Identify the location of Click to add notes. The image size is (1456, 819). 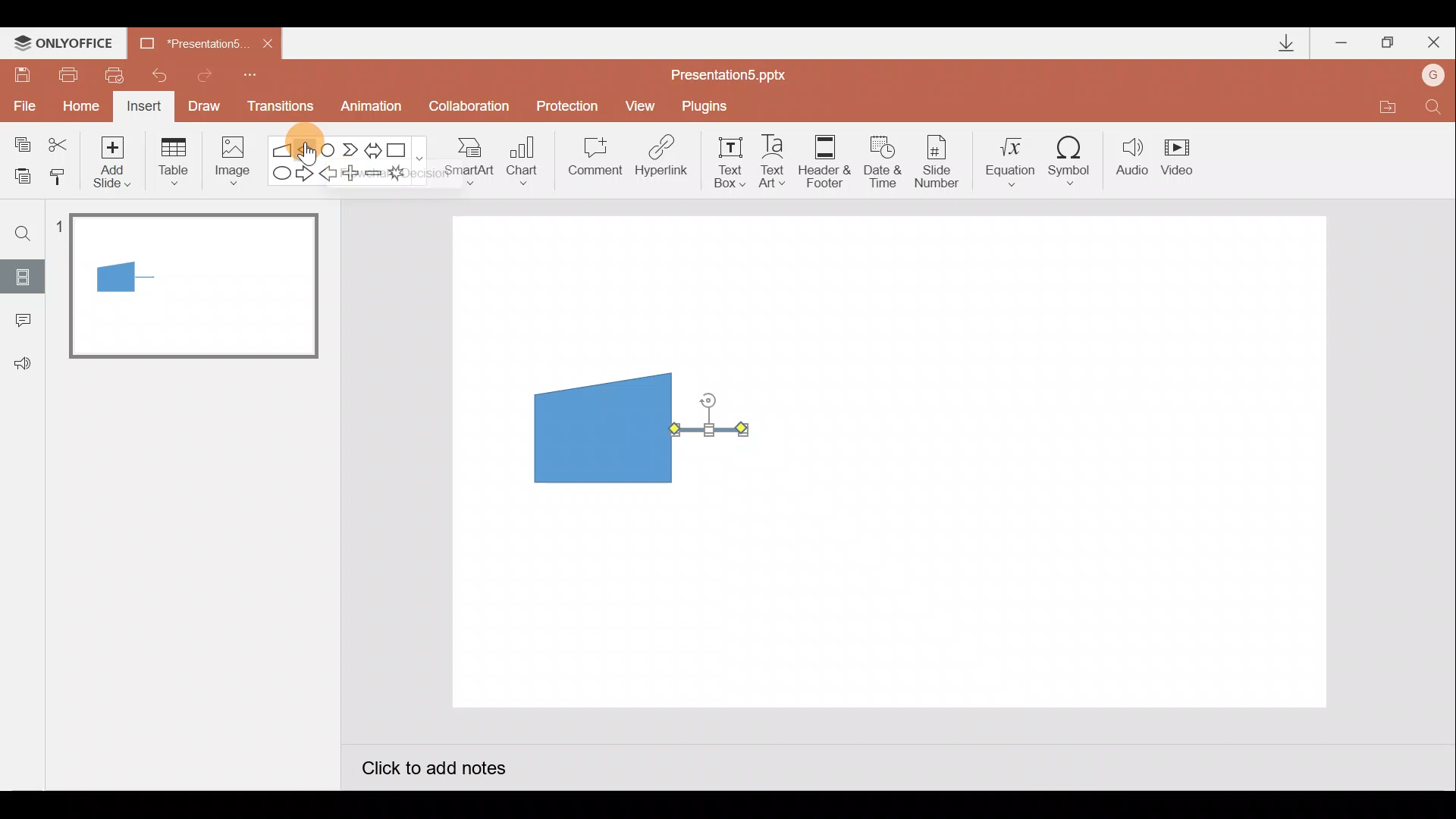
(432, 770).